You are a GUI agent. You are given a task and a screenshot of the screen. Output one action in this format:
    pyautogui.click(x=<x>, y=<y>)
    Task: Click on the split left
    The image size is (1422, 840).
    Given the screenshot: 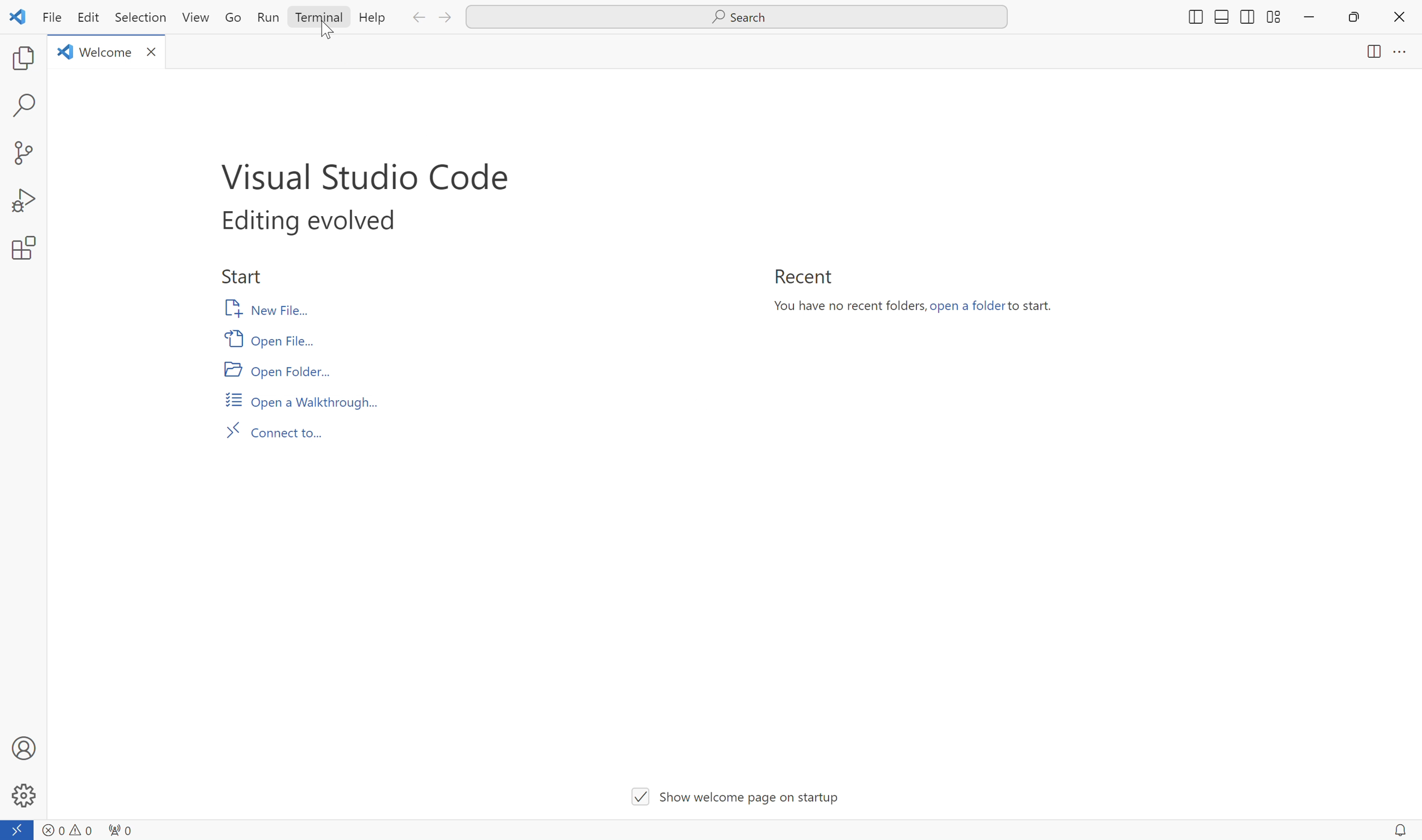 What is the action you would take?
    pyautogui.click(x=1245, y=15)
    